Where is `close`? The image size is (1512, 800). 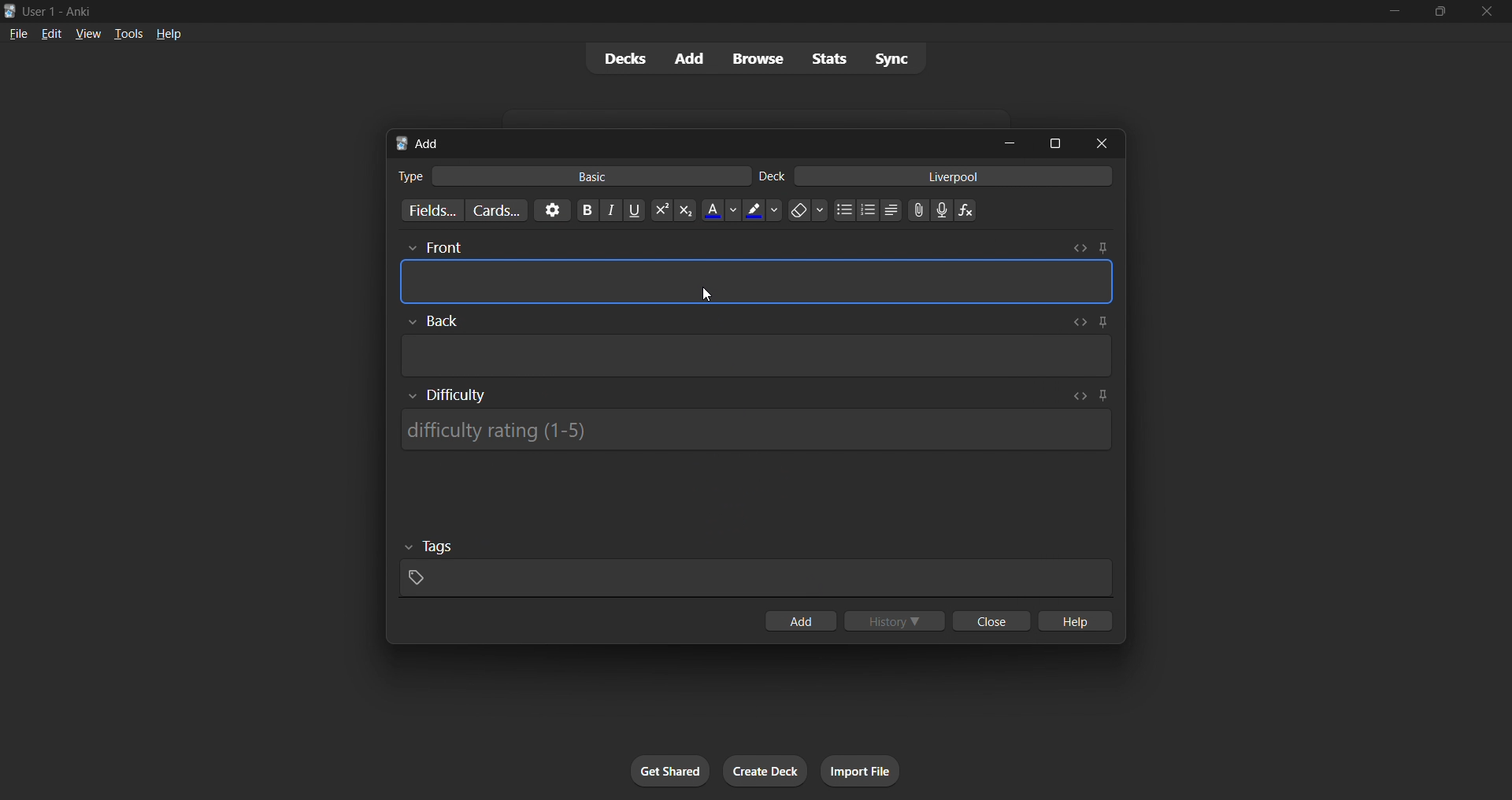
close is located at coordinates (991, 620).